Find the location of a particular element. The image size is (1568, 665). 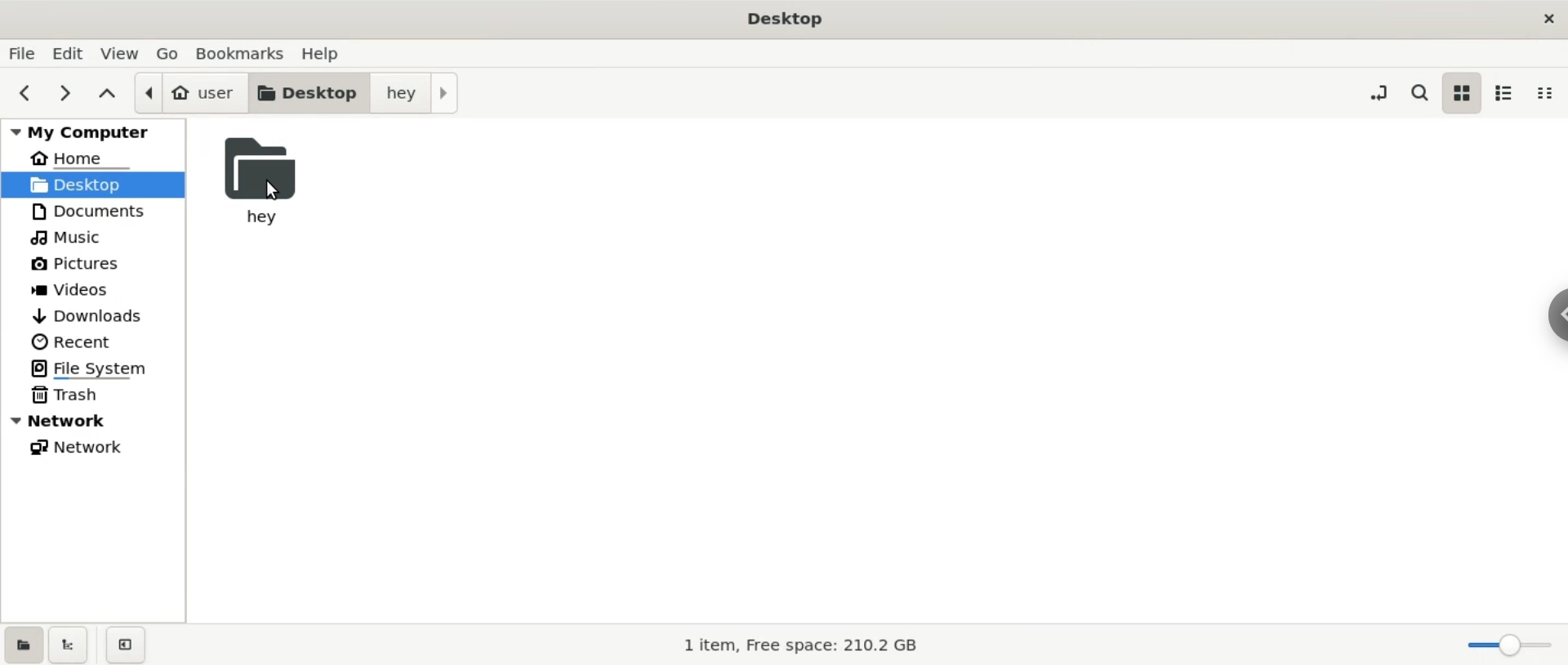

documents is located at coordinates (94, 210).